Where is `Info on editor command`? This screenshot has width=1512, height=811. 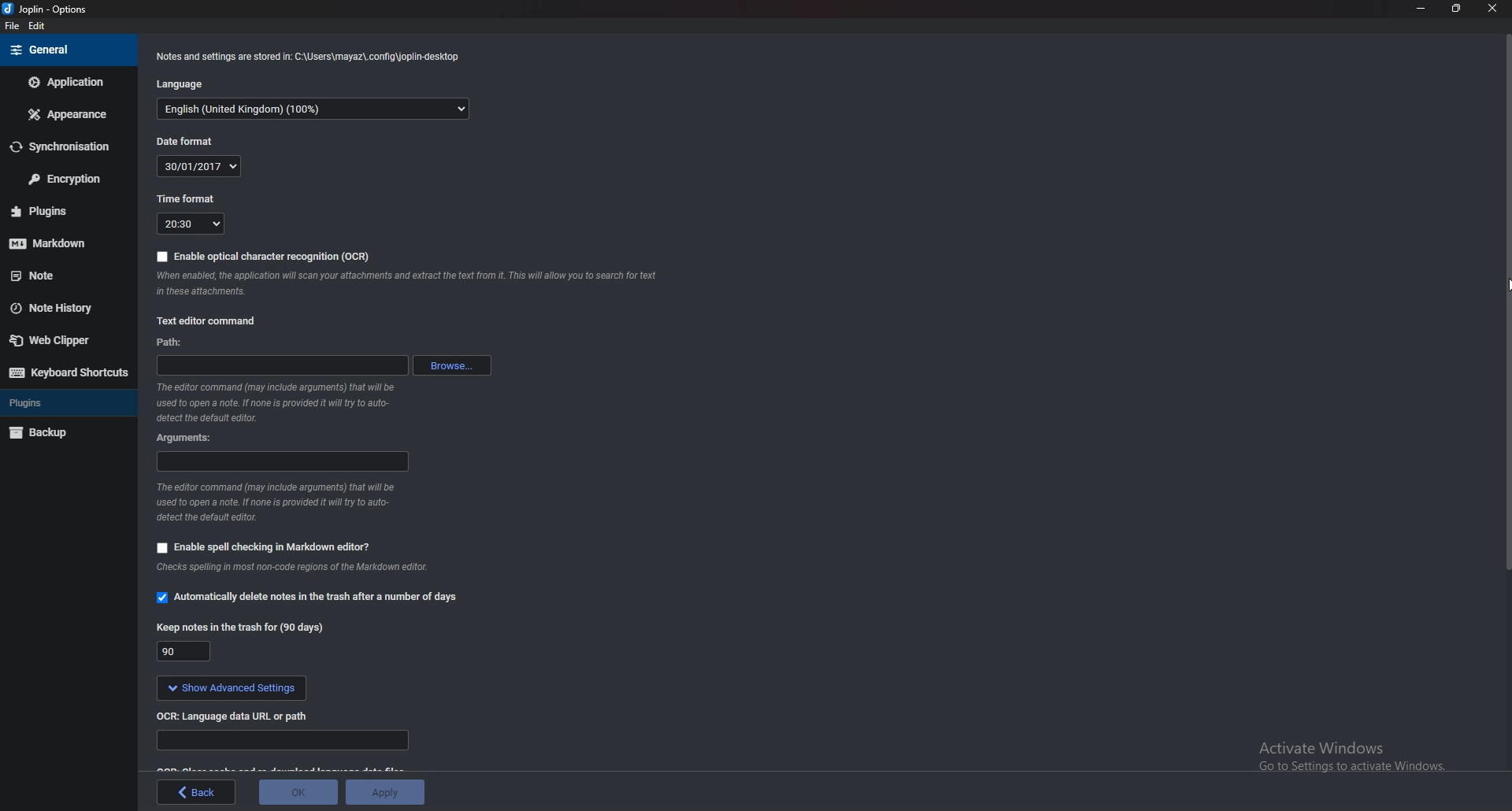
Info on editor command is located at coordinates (285, 502).